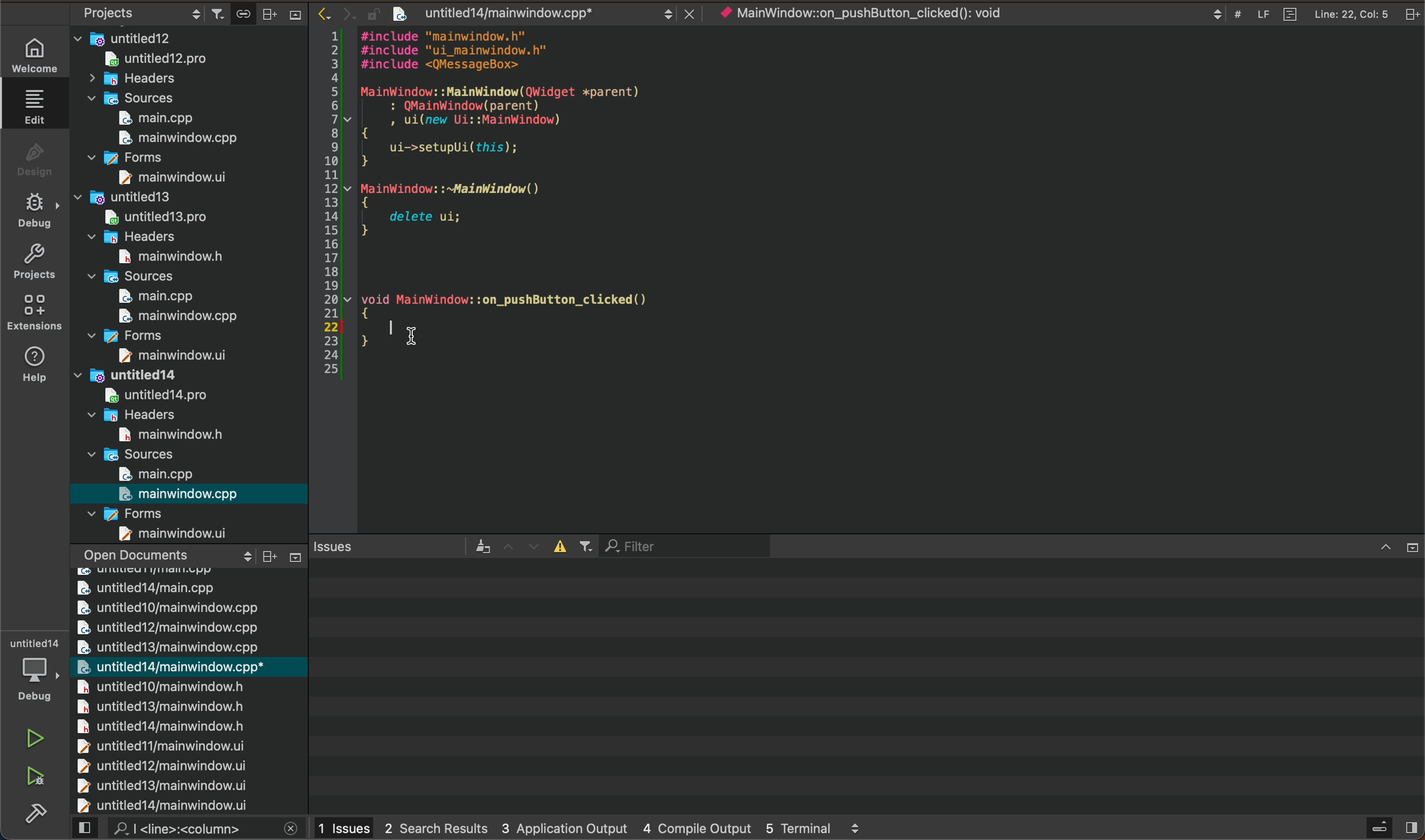  I want to click on file content, so click(870, 278).